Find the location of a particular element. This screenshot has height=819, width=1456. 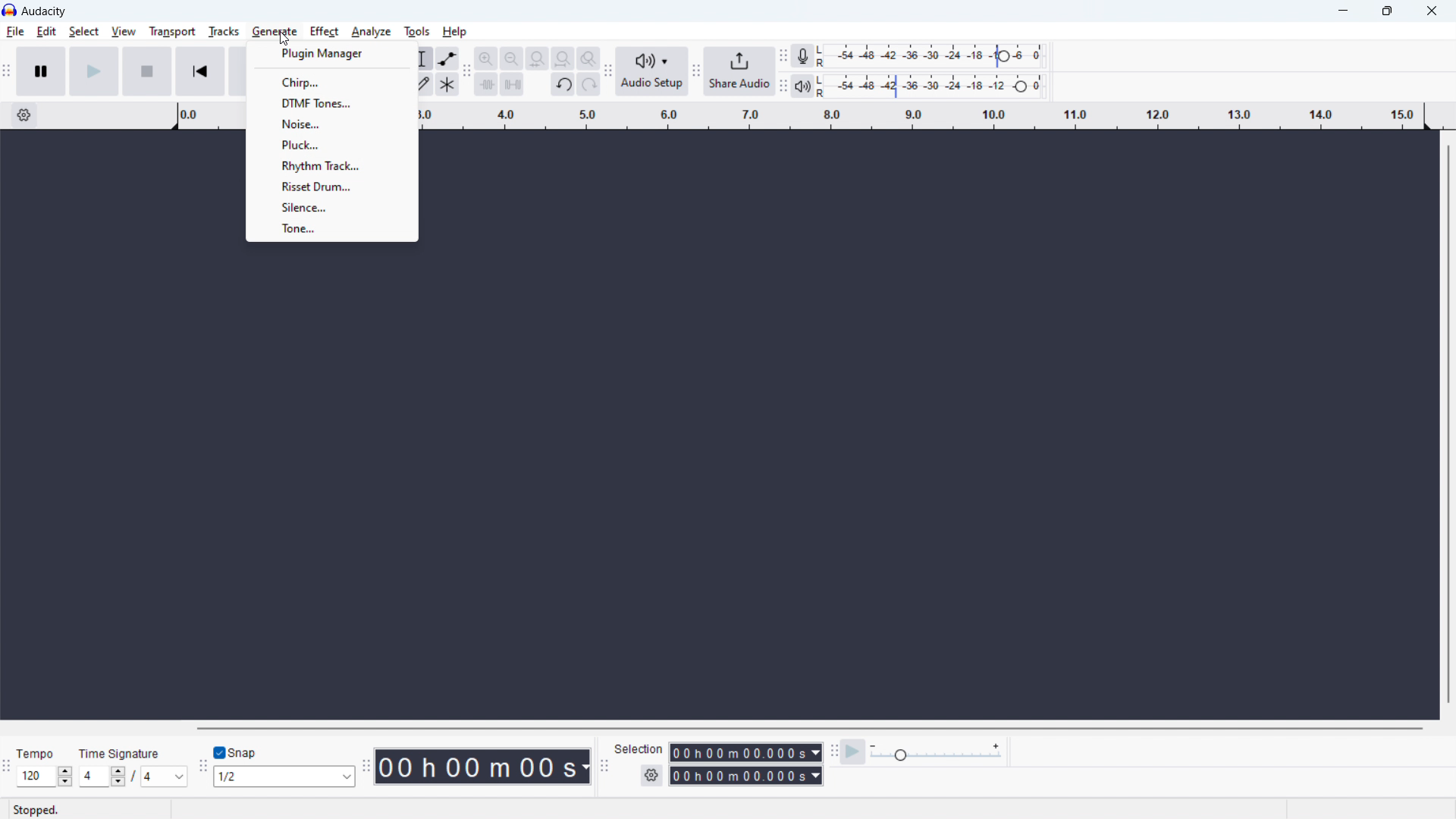

logo is located at coordinates (9, 11).